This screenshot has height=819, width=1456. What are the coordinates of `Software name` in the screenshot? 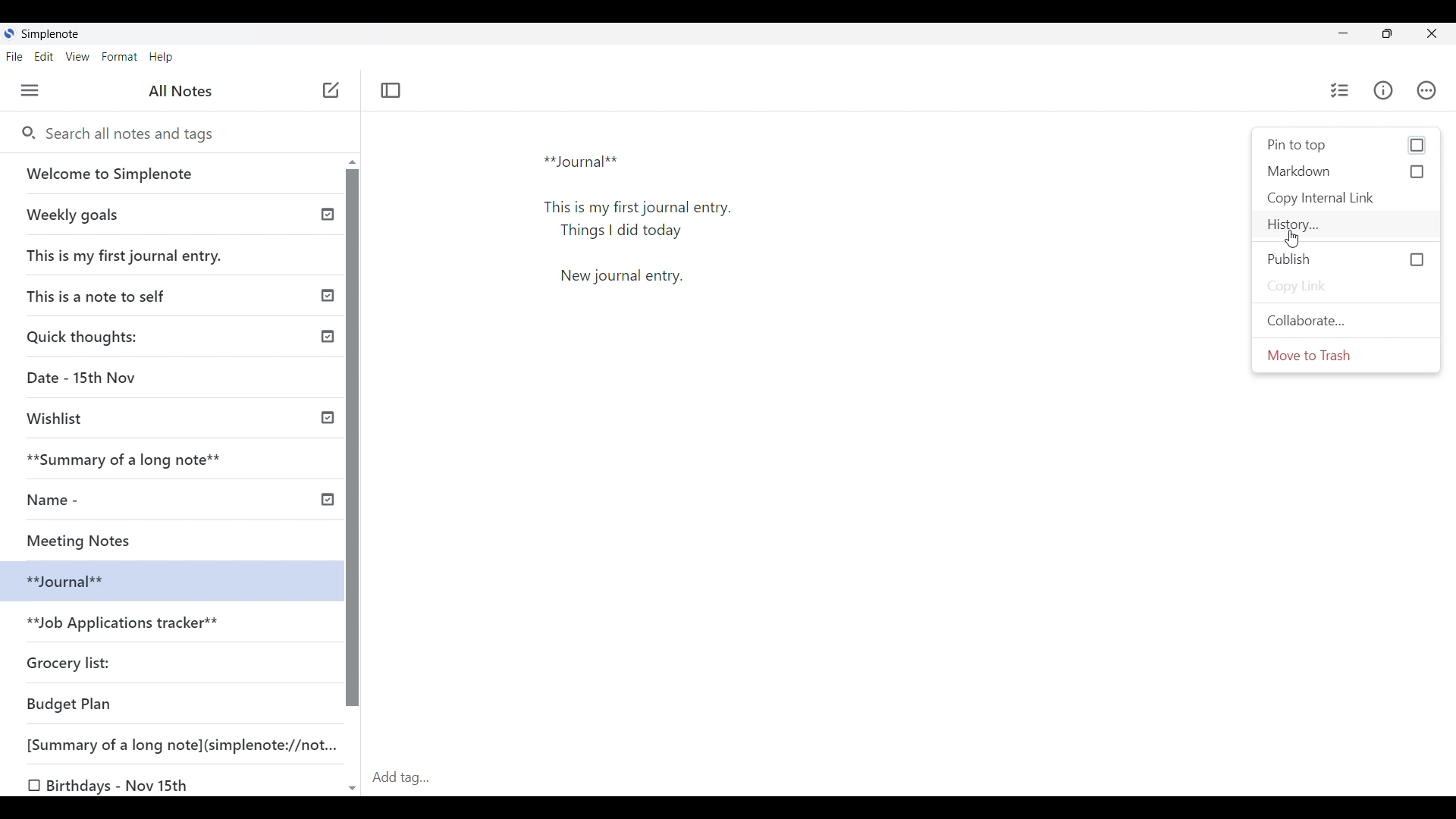 It's located at (52, 34).